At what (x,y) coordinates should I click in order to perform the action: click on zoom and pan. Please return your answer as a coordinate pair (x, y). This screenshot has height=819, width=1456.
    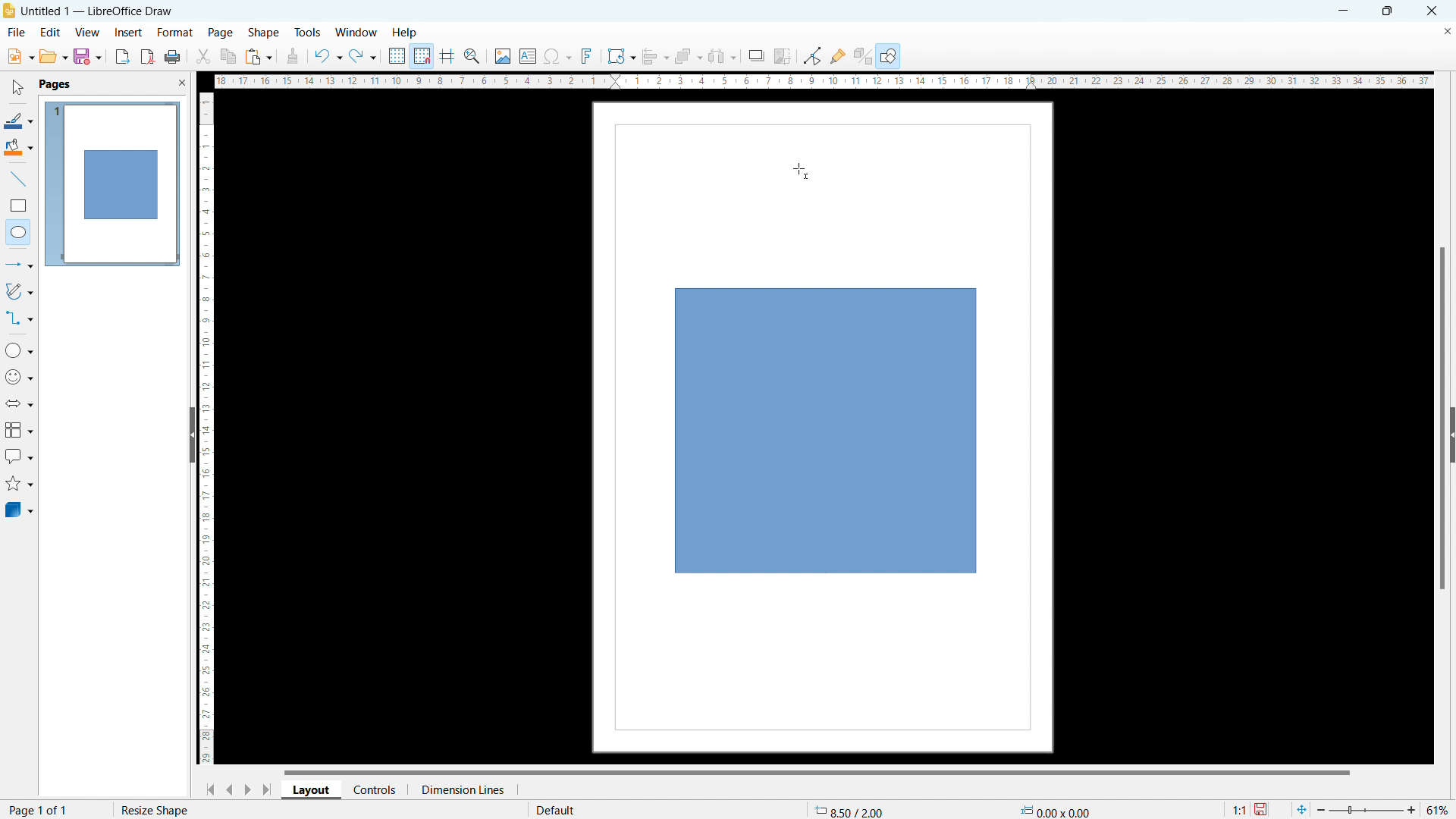
    Looking at the image, I should click on (472, 58).